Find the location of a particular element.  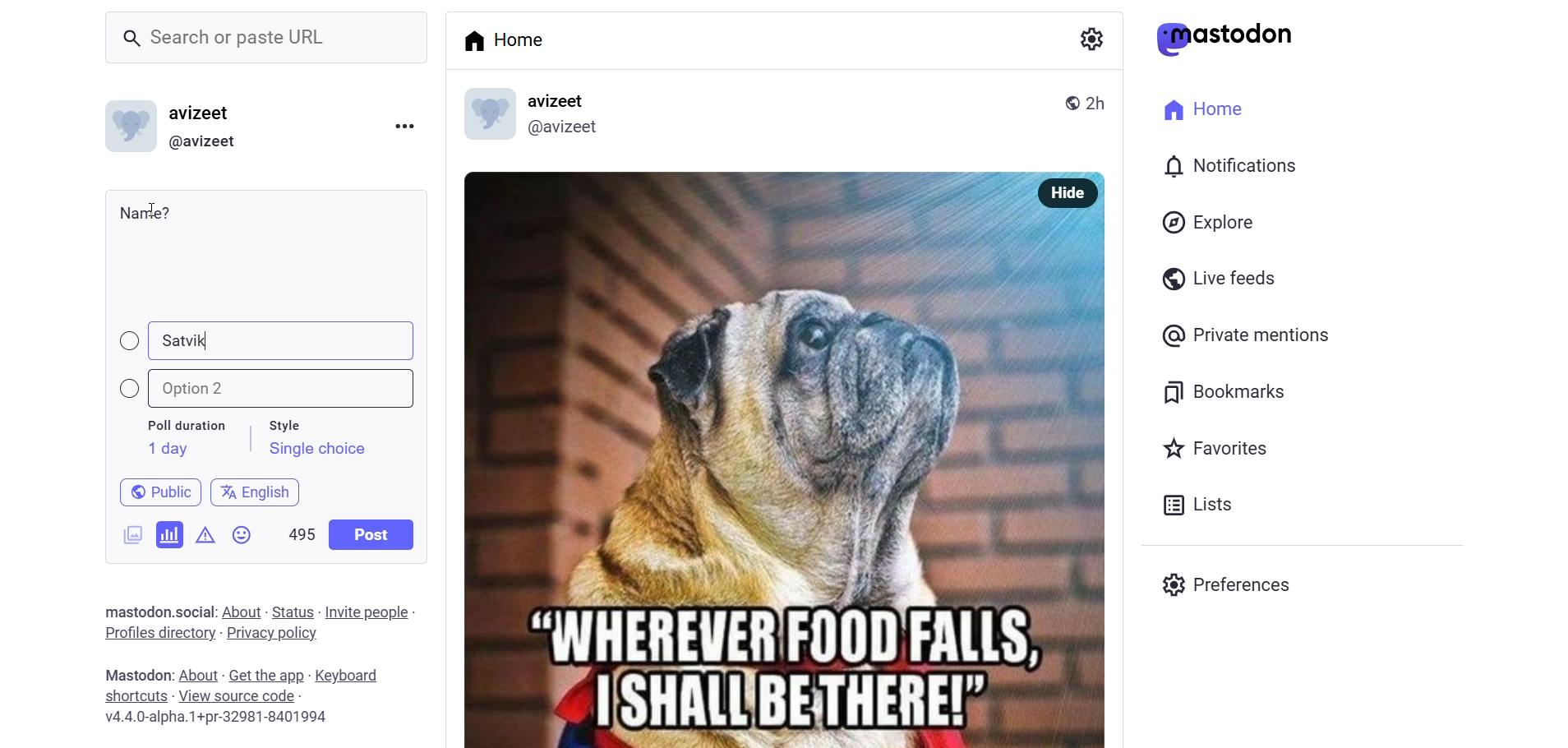

poll is located at coordinates (170, 533).